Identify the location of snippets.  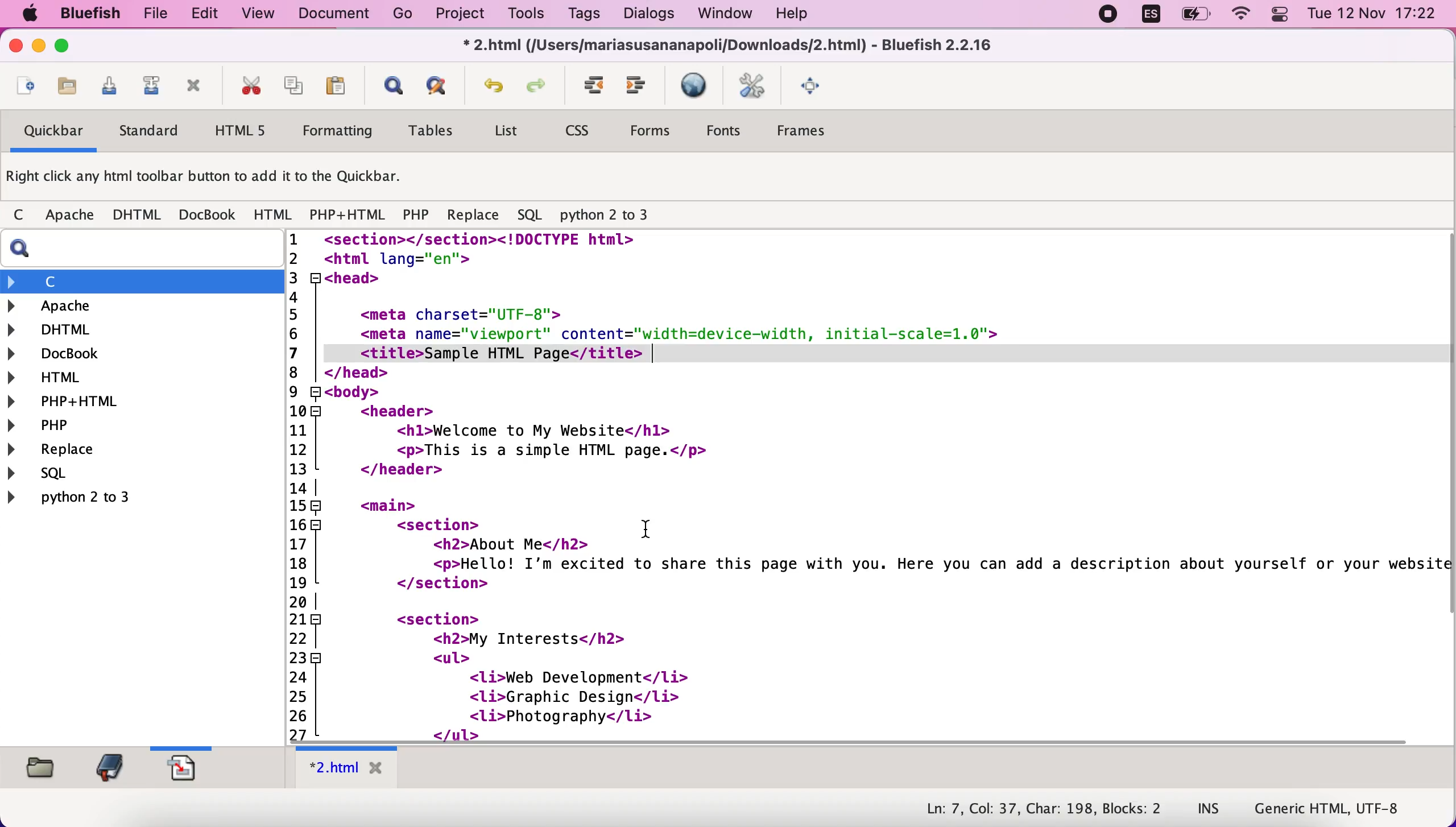
(193, 770).